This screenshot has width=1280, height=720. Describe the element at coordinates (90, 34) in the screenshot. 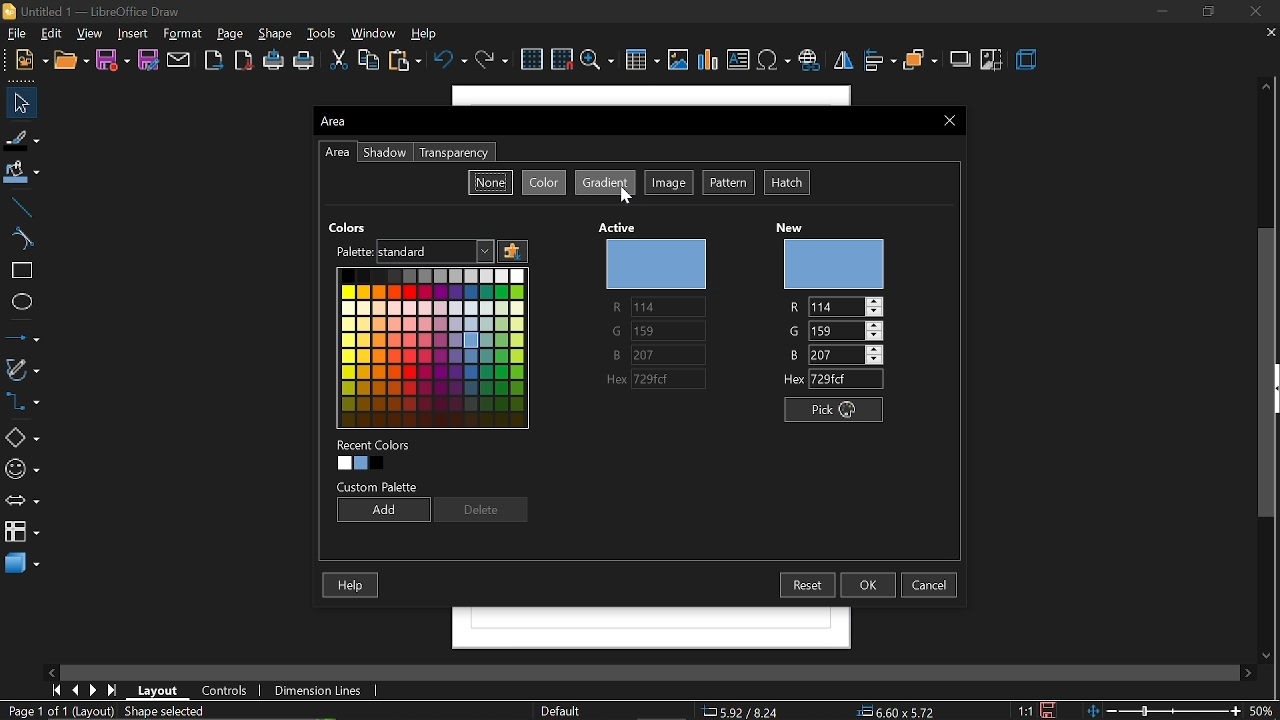

I see `view` at that location.